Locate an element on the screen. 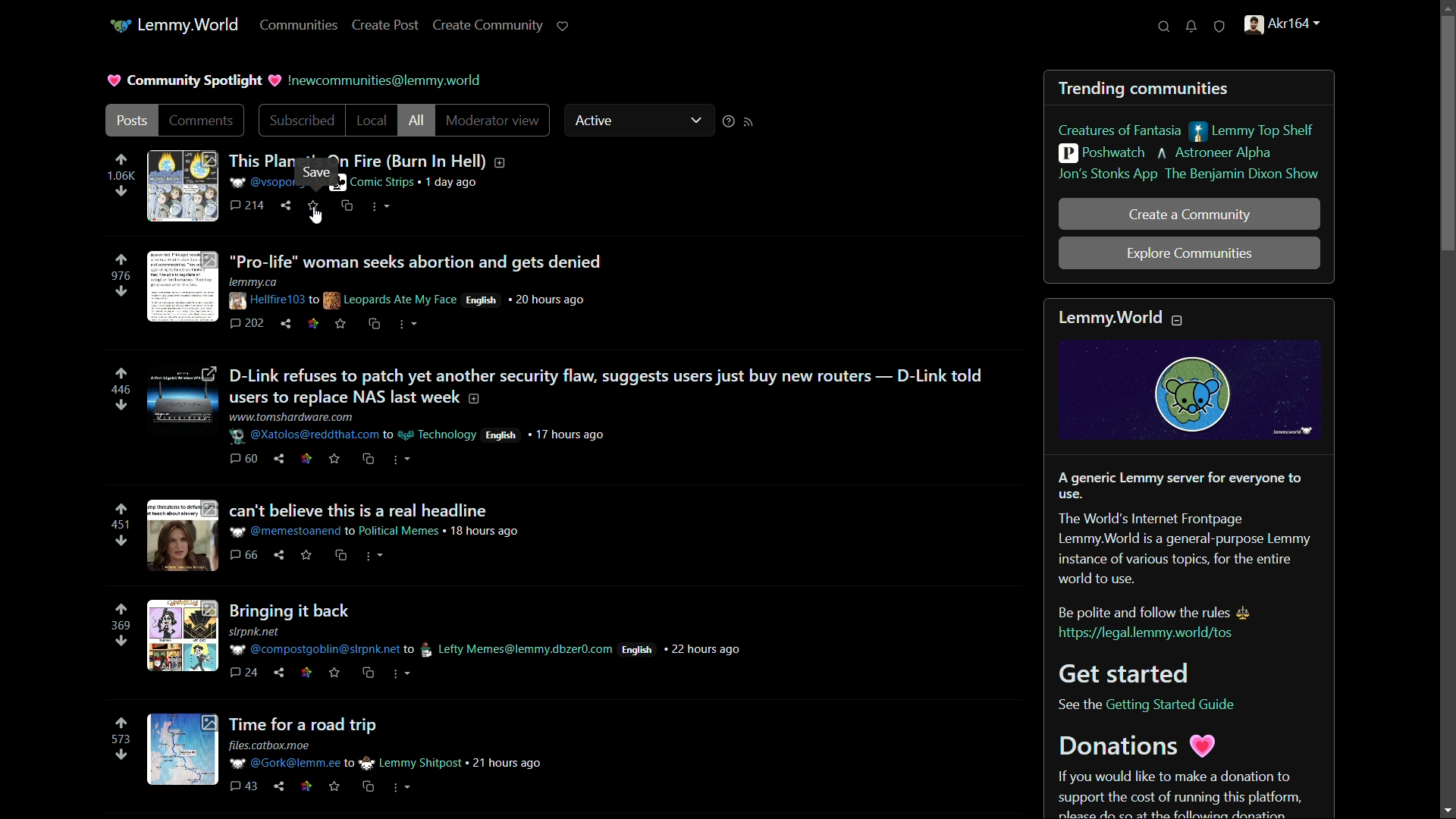  dropdown is located at coordinates (695, 118).